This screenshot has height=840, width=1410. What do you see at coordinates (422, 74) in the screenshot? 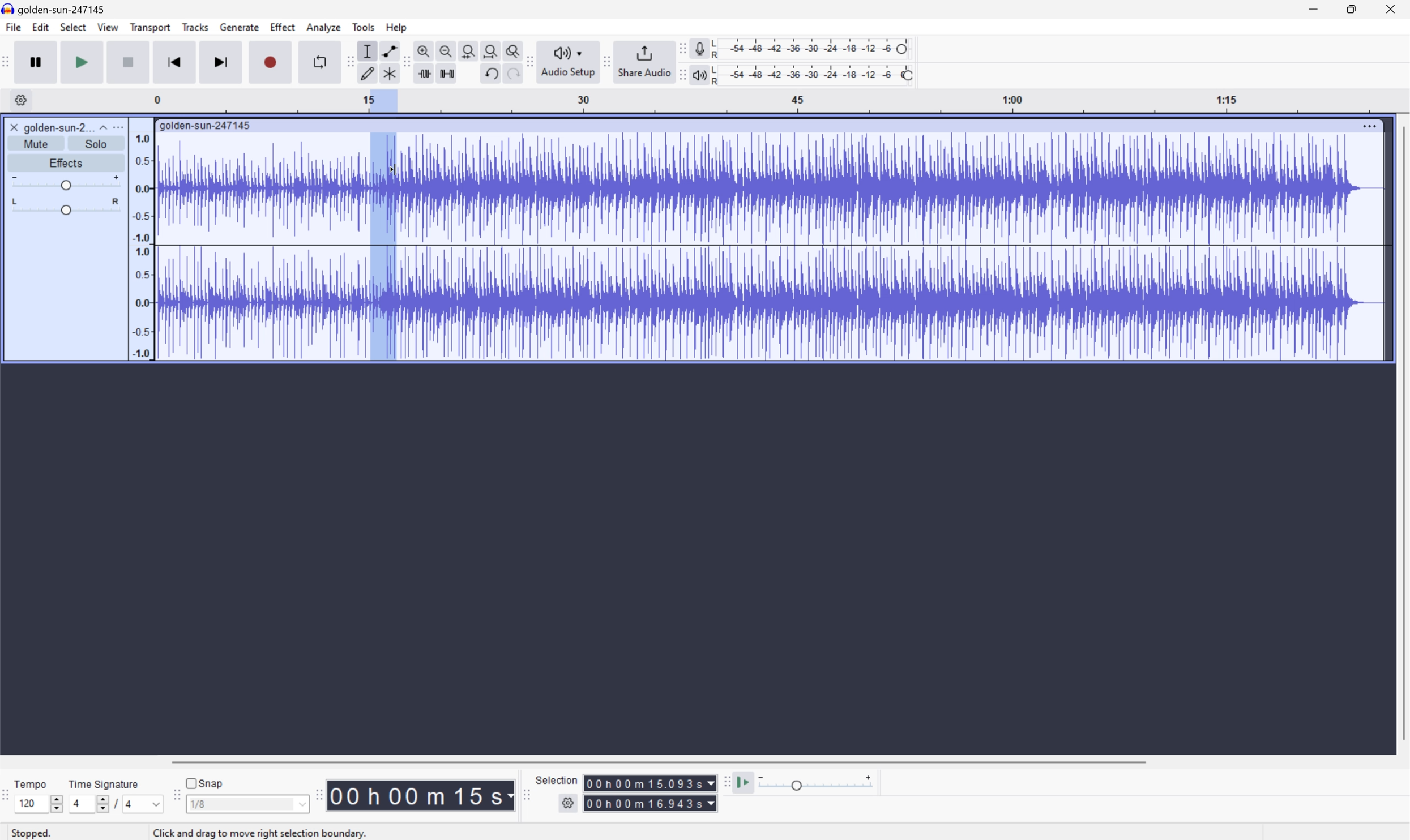
I see `Trim audio outside selection` at bounding box center [422, 74].